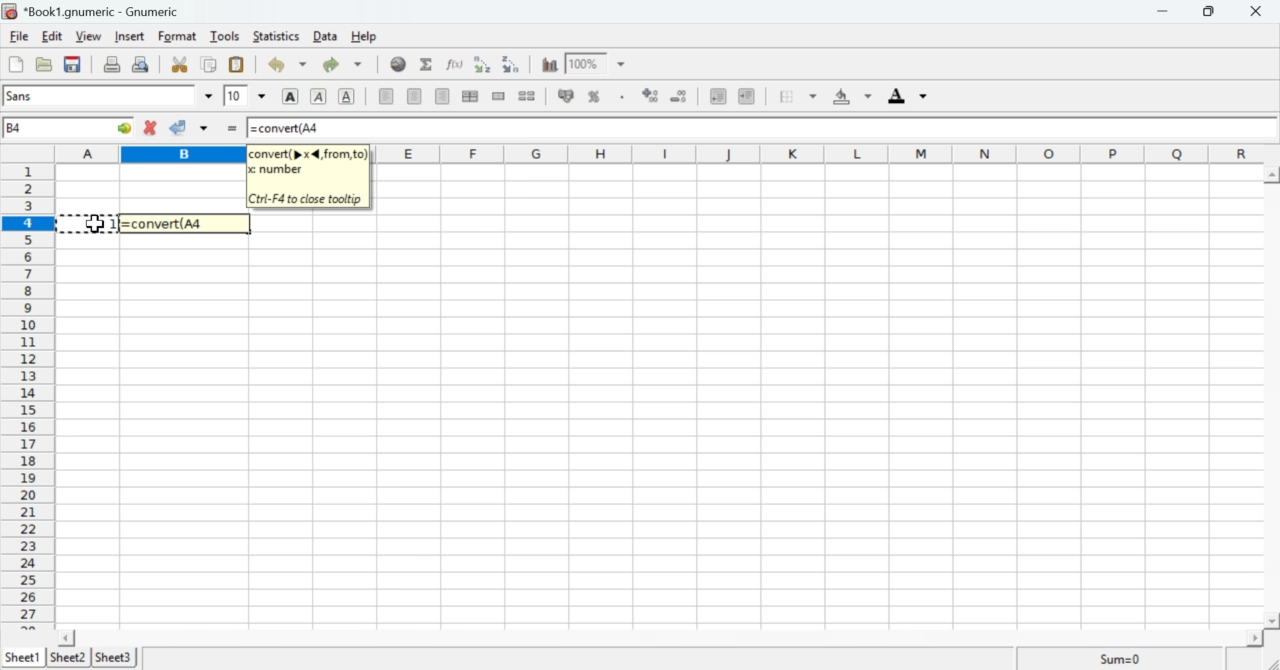 Image resolution: width=1280 pixels, height=670 pixels. I want to click on Increase indent, align to the left., so click(747, 97).